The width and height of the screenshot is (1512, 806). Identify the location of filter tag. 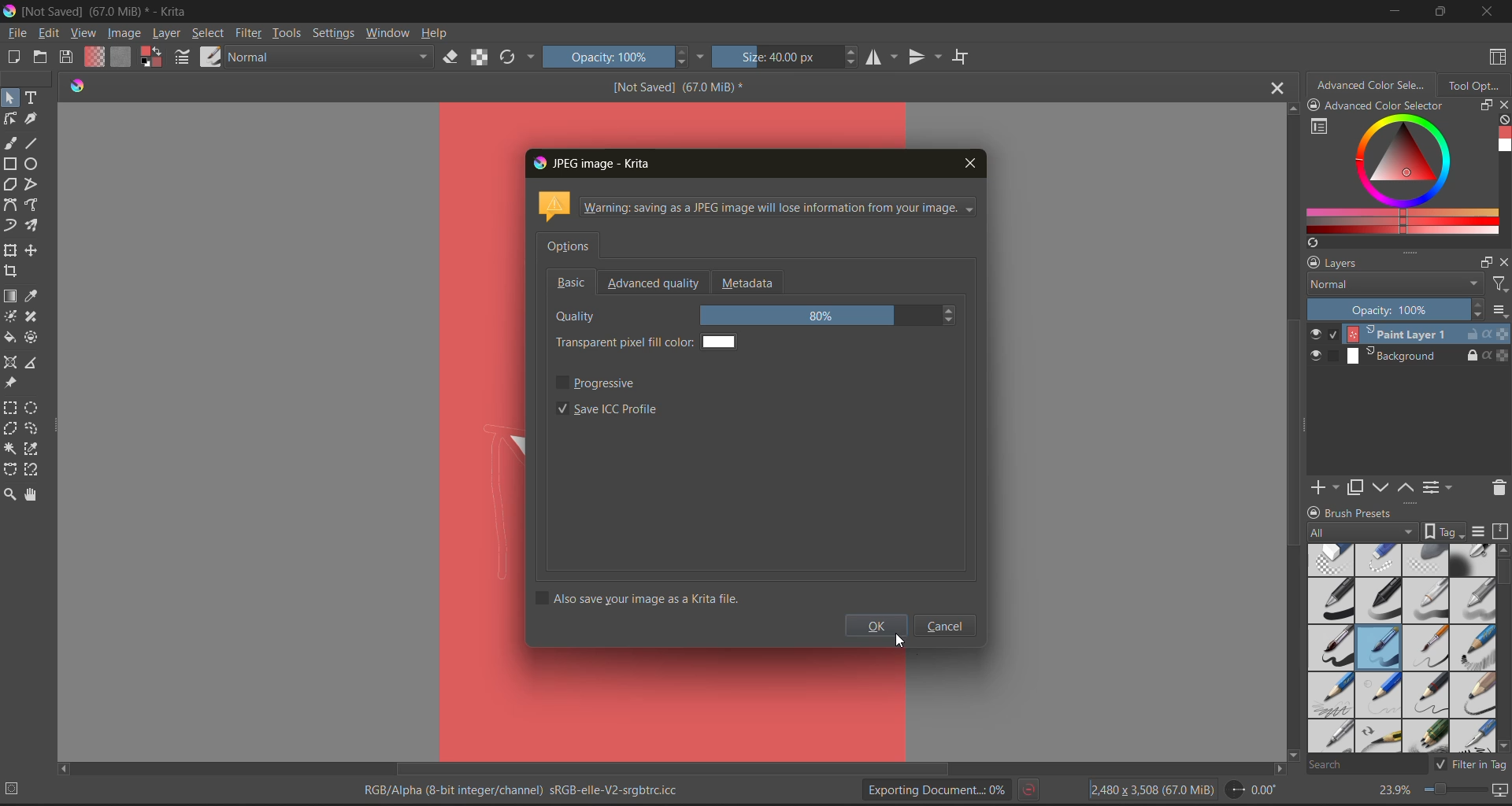
(1471, 766).